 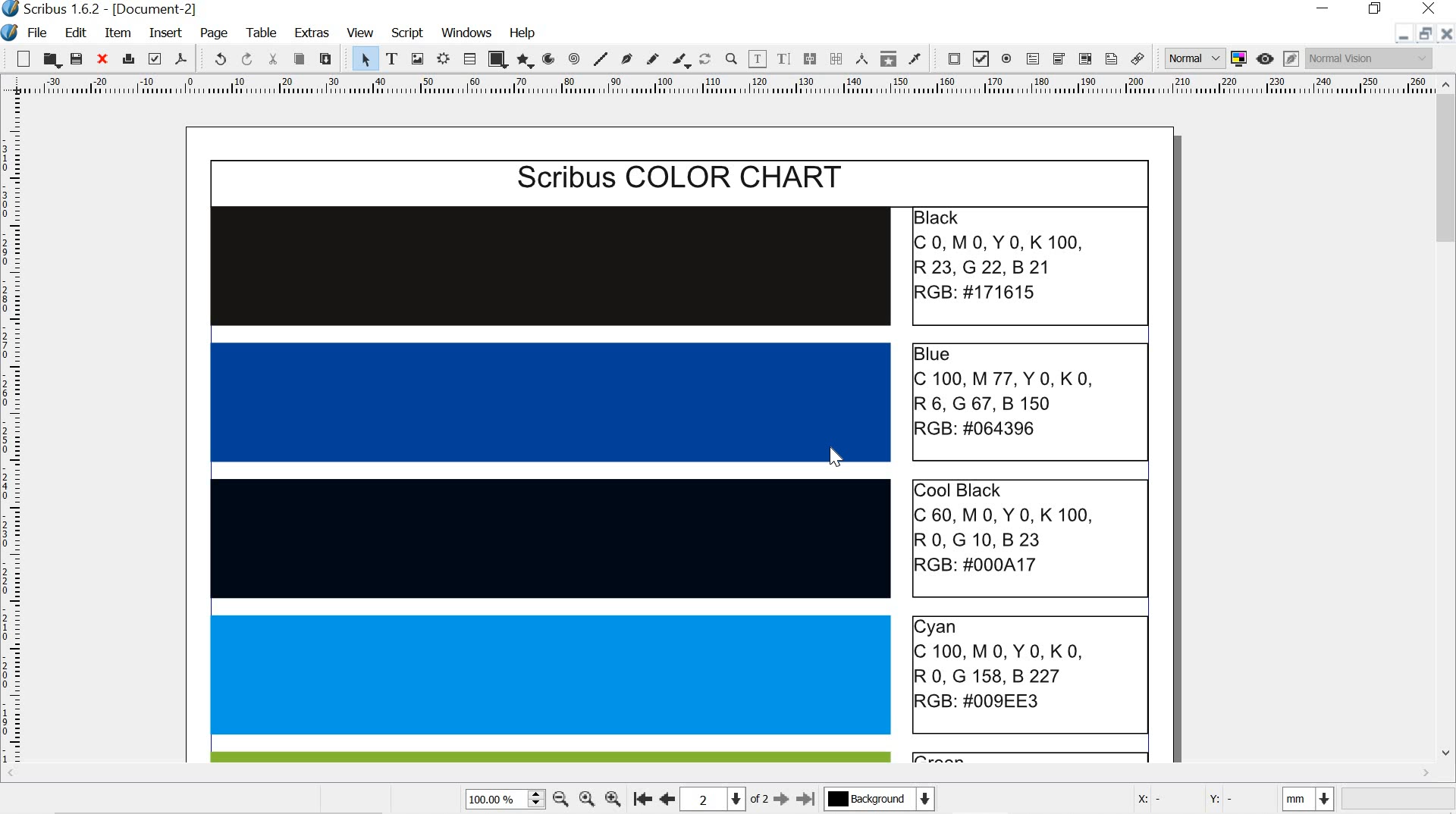 I want to click on table, so click(x=265, y=33).